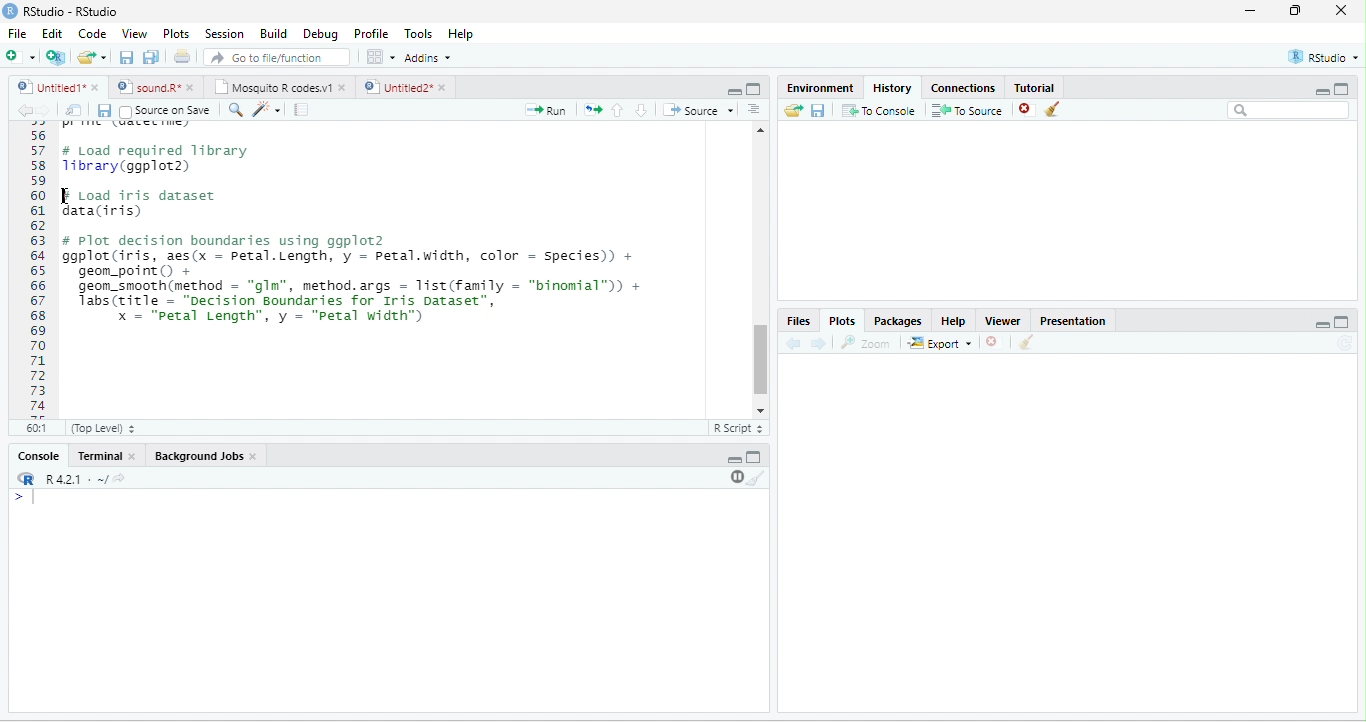 The height and width of the screenshot is (722, 1366). Describe the element at coordinates (641, 110) in the screenshot. I see `down` at that location.